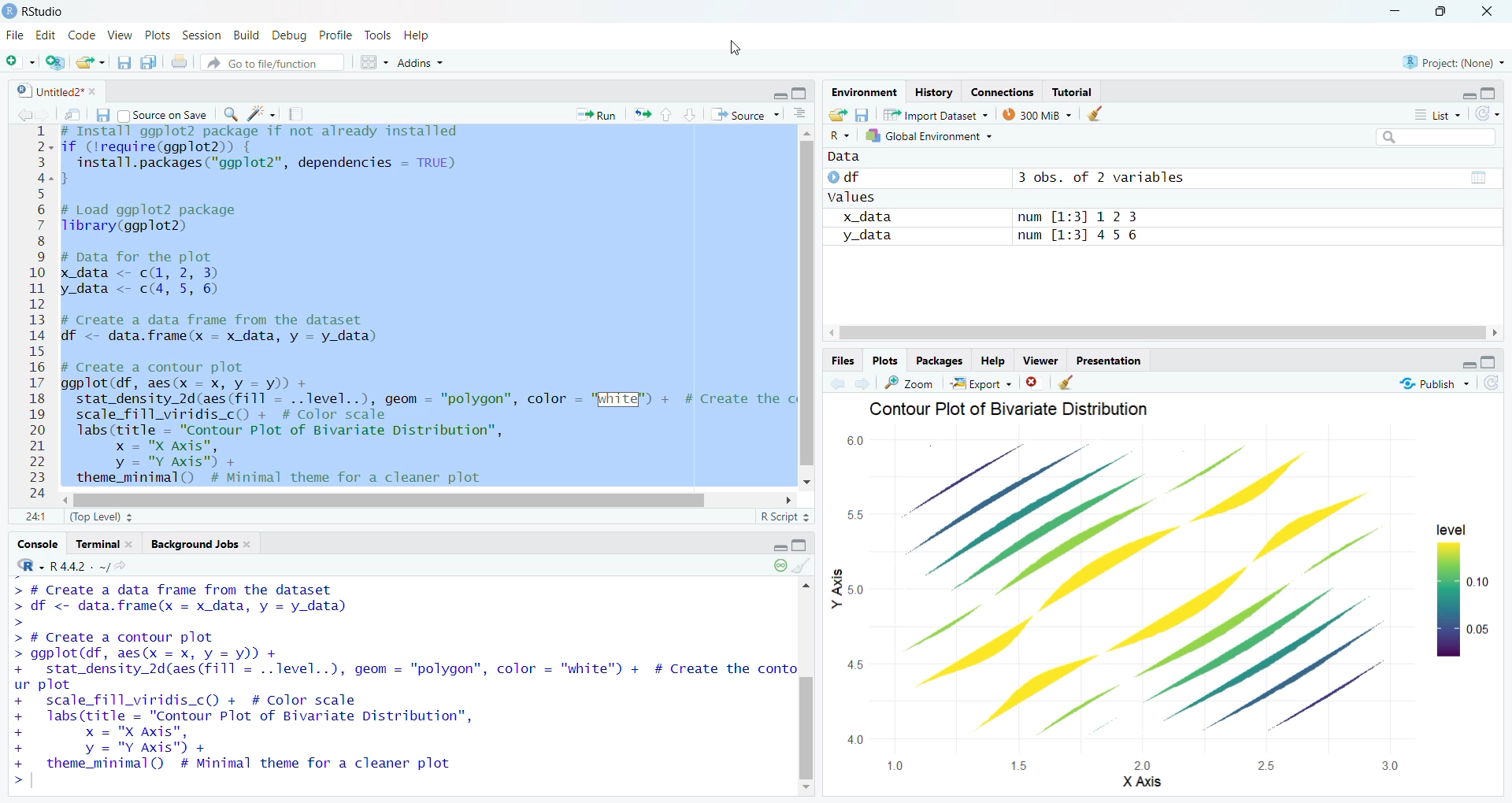  Describe the element at coordinates (1042, 361) in the screenshot. I see ` Viewer` at that location.